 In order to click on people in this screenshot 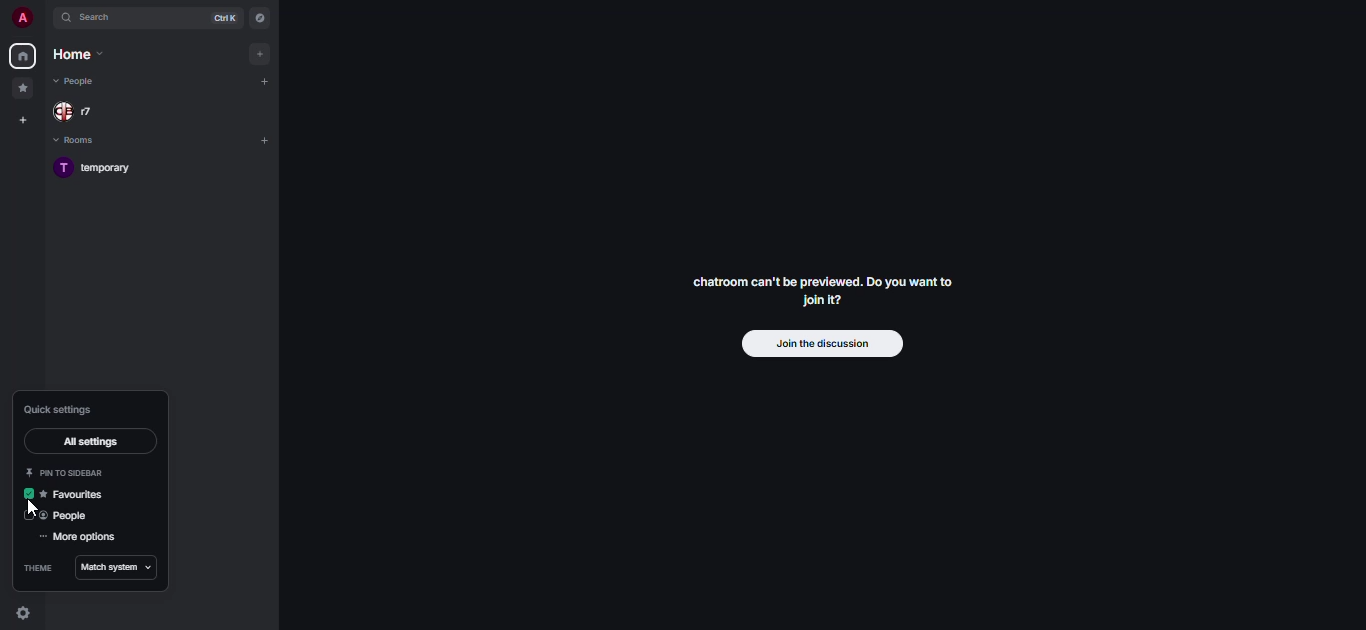, I will do `click(80, 112)`.